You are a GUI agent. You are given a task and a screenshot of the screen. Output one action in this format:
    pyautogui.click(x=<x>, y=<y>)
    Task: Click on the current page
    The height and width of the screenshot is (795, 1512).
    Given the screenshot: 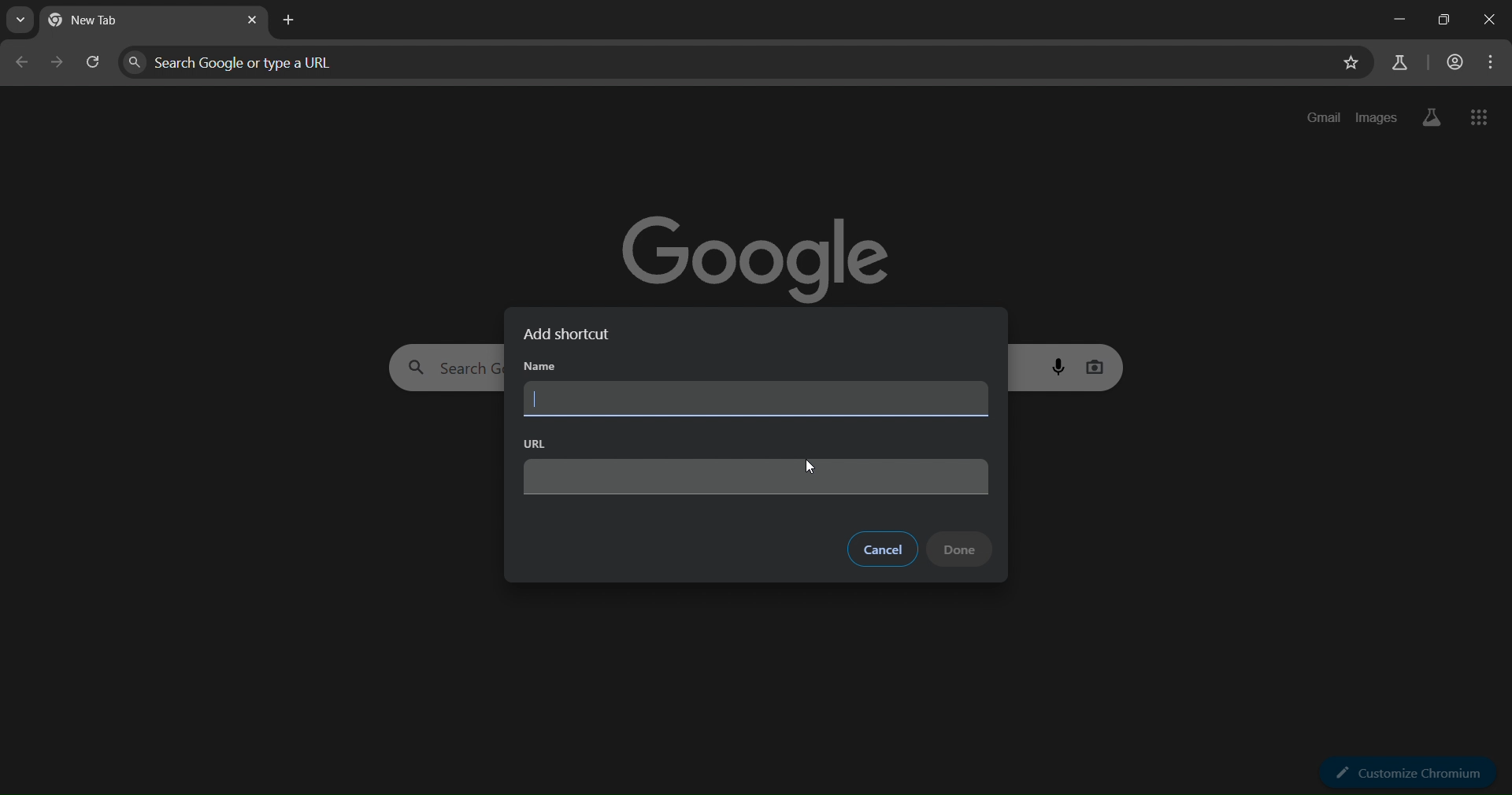 What is the action you would take?
    pyautogui.click(x=110, y=22)
    